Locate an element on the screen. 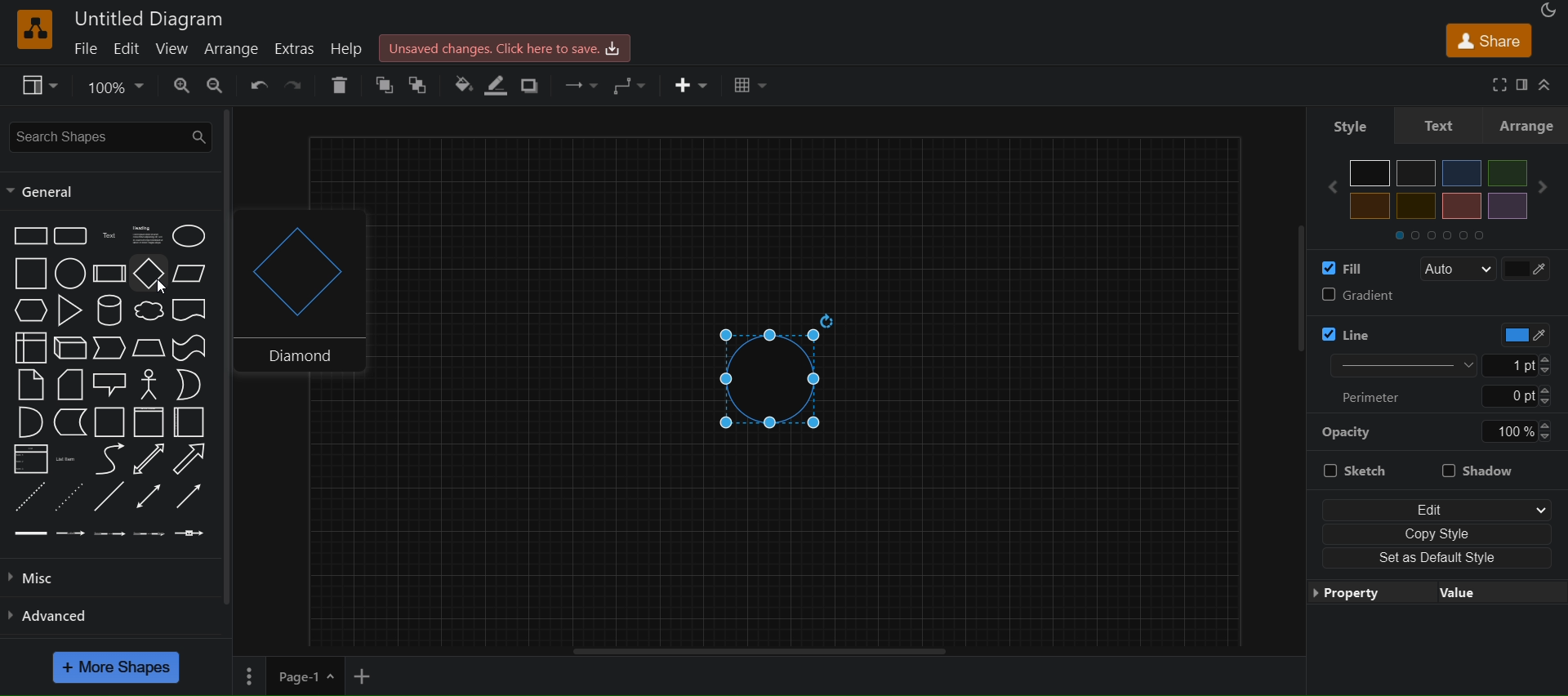 The width and height of the screenshot is (1568, 696). line color is located at coordinates (501, 85).